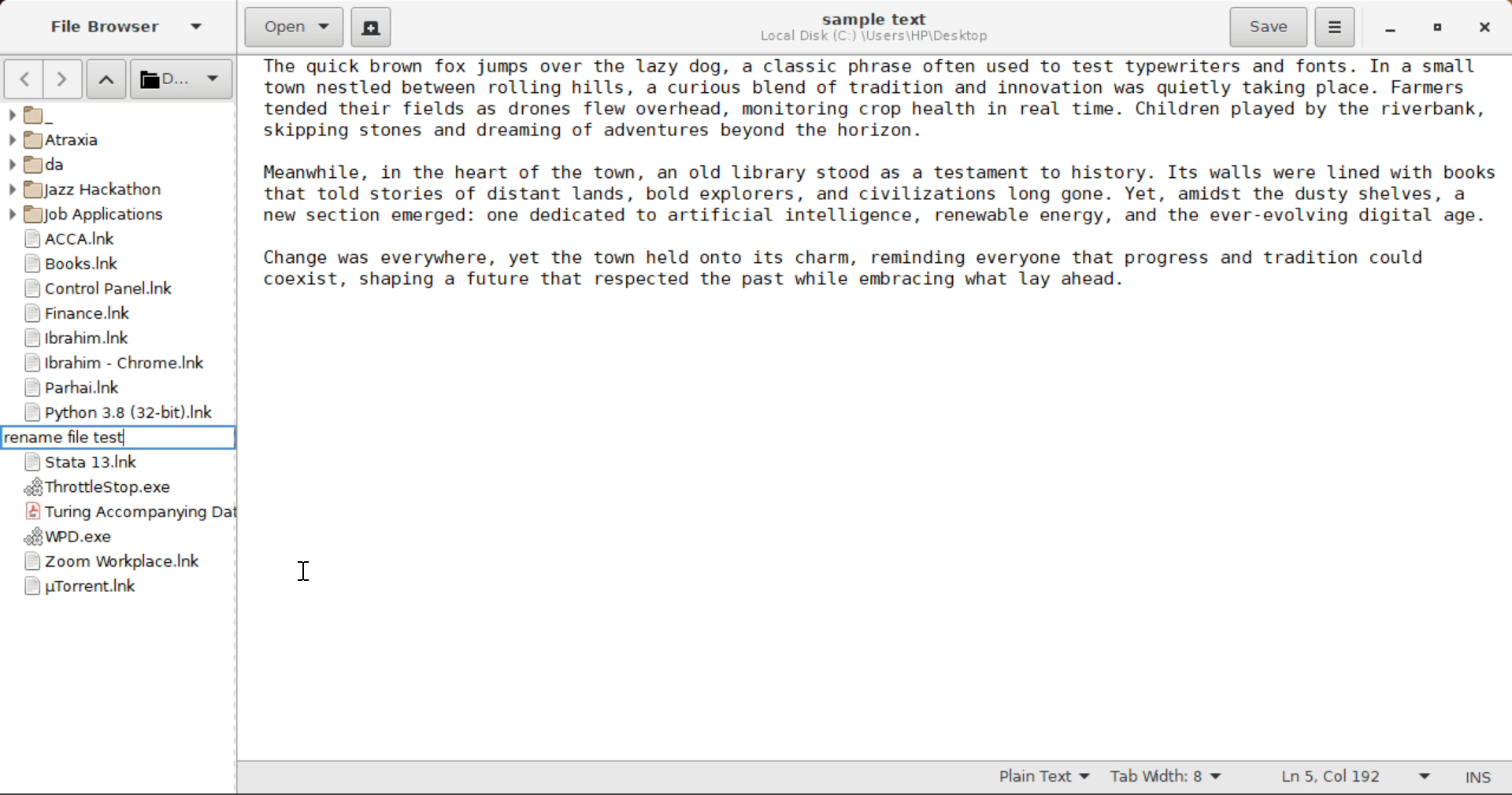  What do you see at coordinates (370, 26) in the screenshot?
I see `Create New Document` at bounding box center [370, 26].